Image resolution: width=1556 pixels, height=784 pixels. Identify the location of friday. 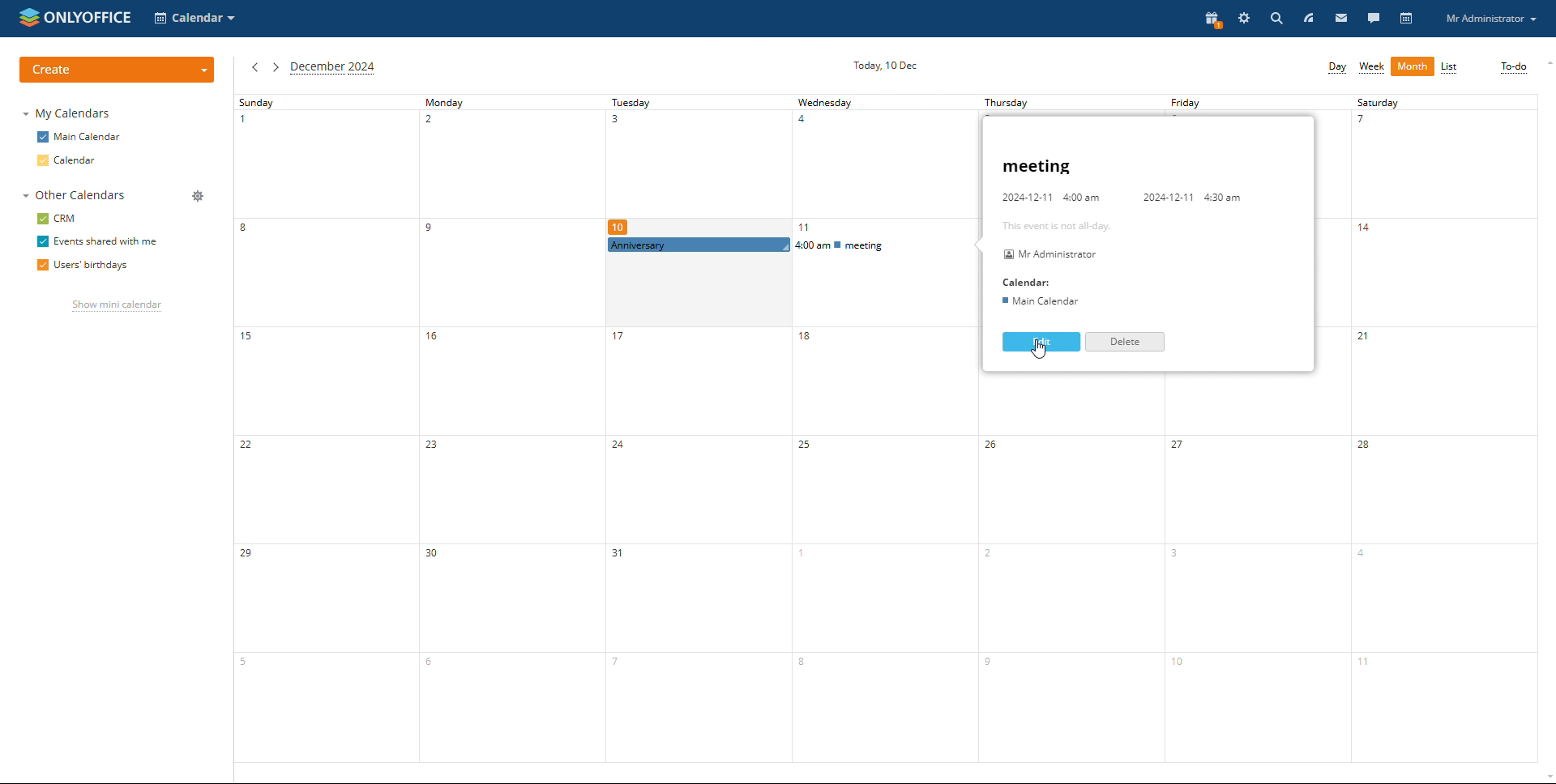
(1255, 568).